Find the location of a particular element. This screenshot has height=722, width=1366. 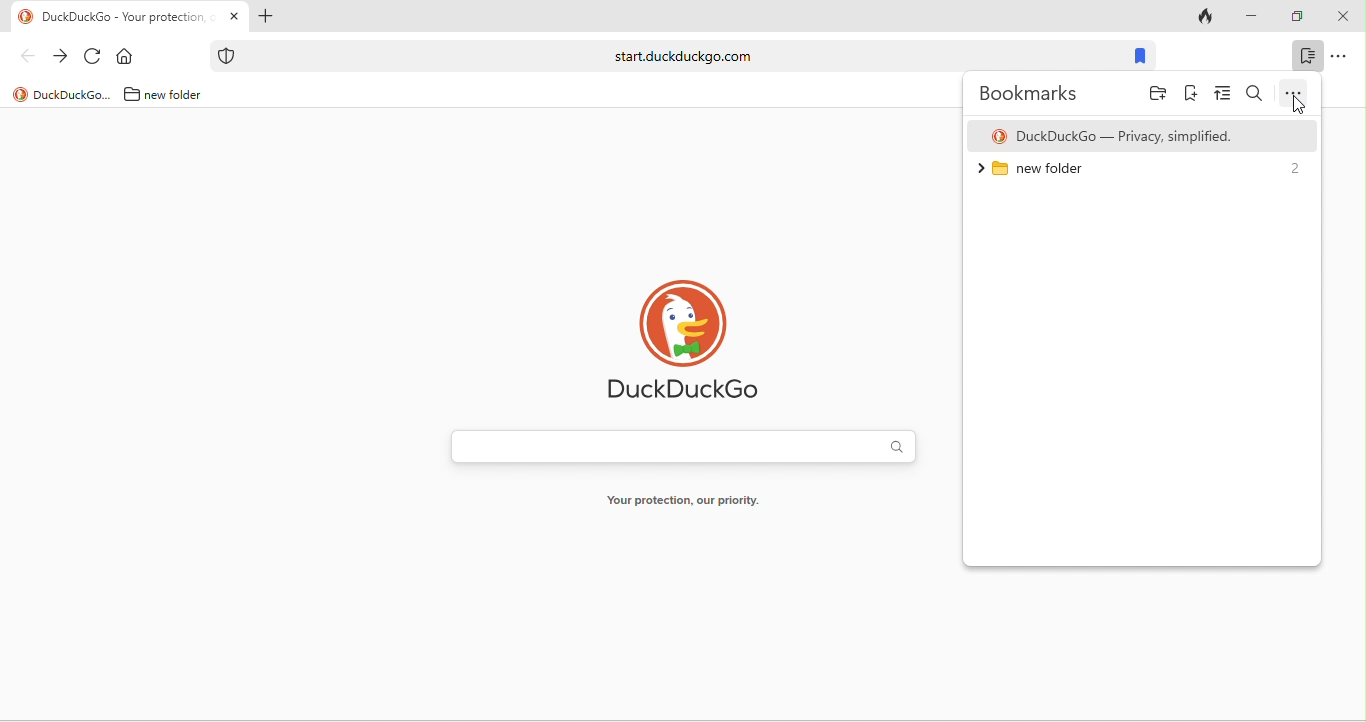

back is located at coordinates (27, 55).